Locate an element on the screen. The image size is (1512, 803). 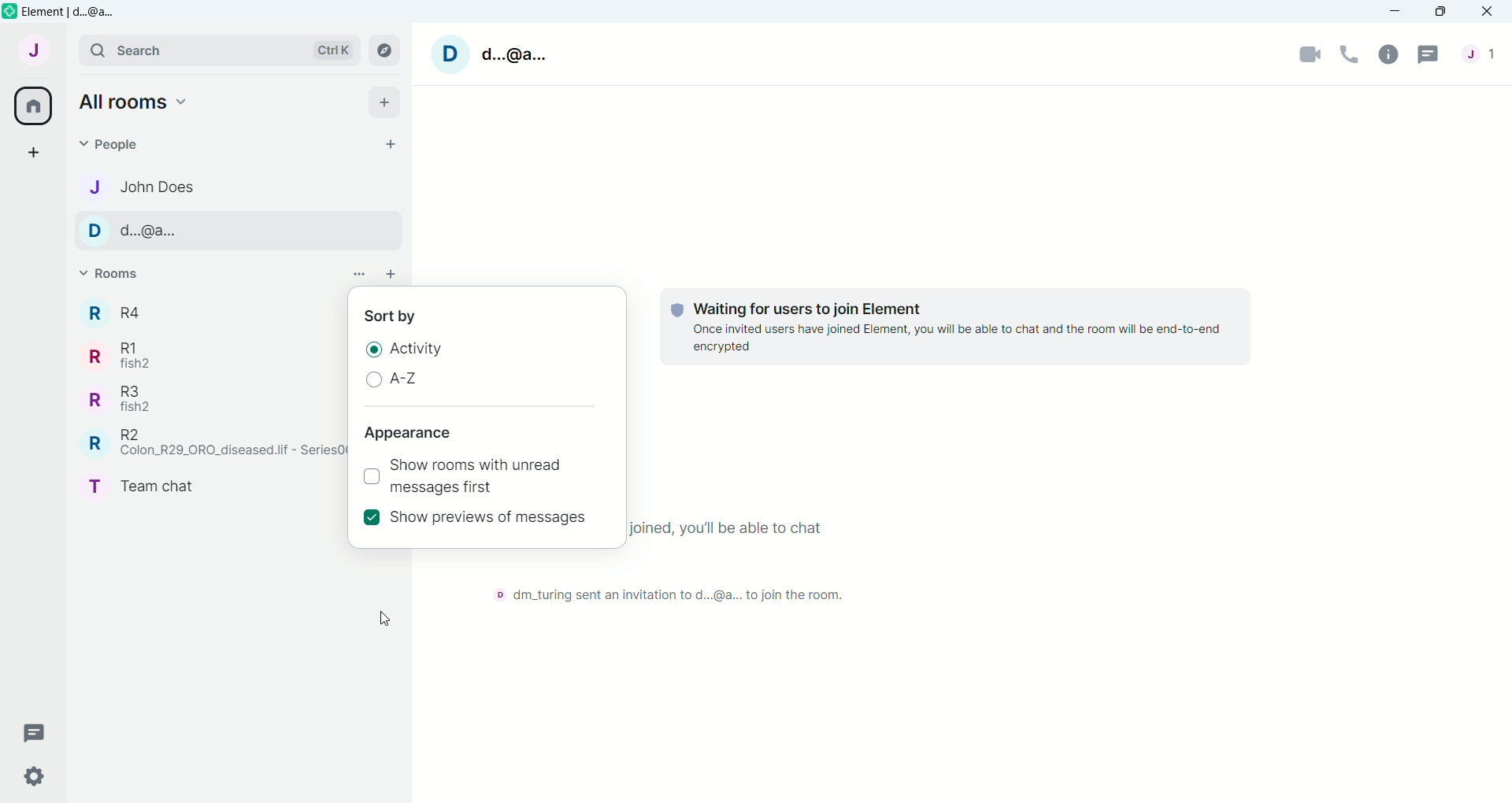
Activity is located at coordinates (418, 350).